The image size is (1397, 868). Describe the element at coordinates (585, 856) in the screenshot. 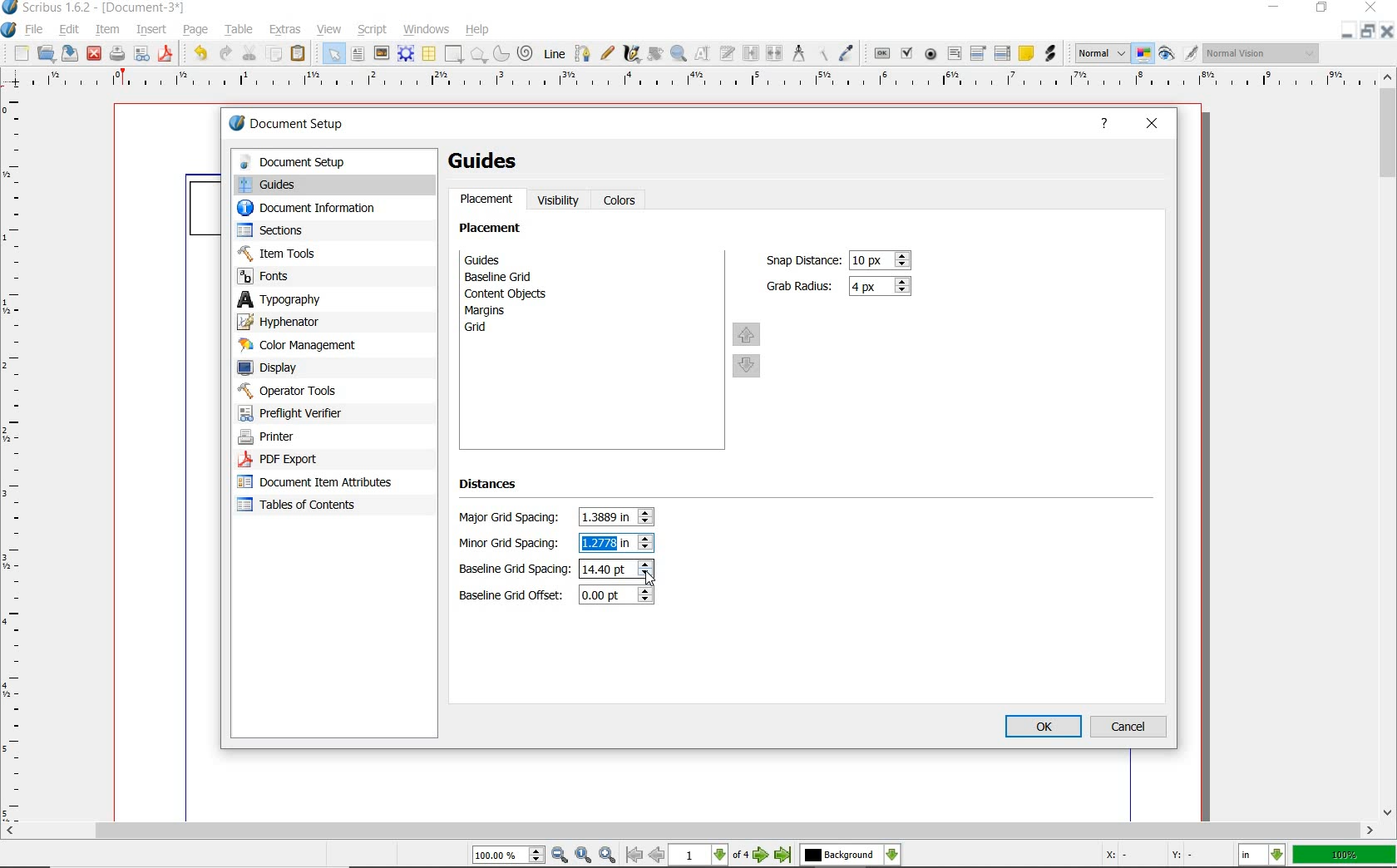

I see `zoom to 100%` at that location.